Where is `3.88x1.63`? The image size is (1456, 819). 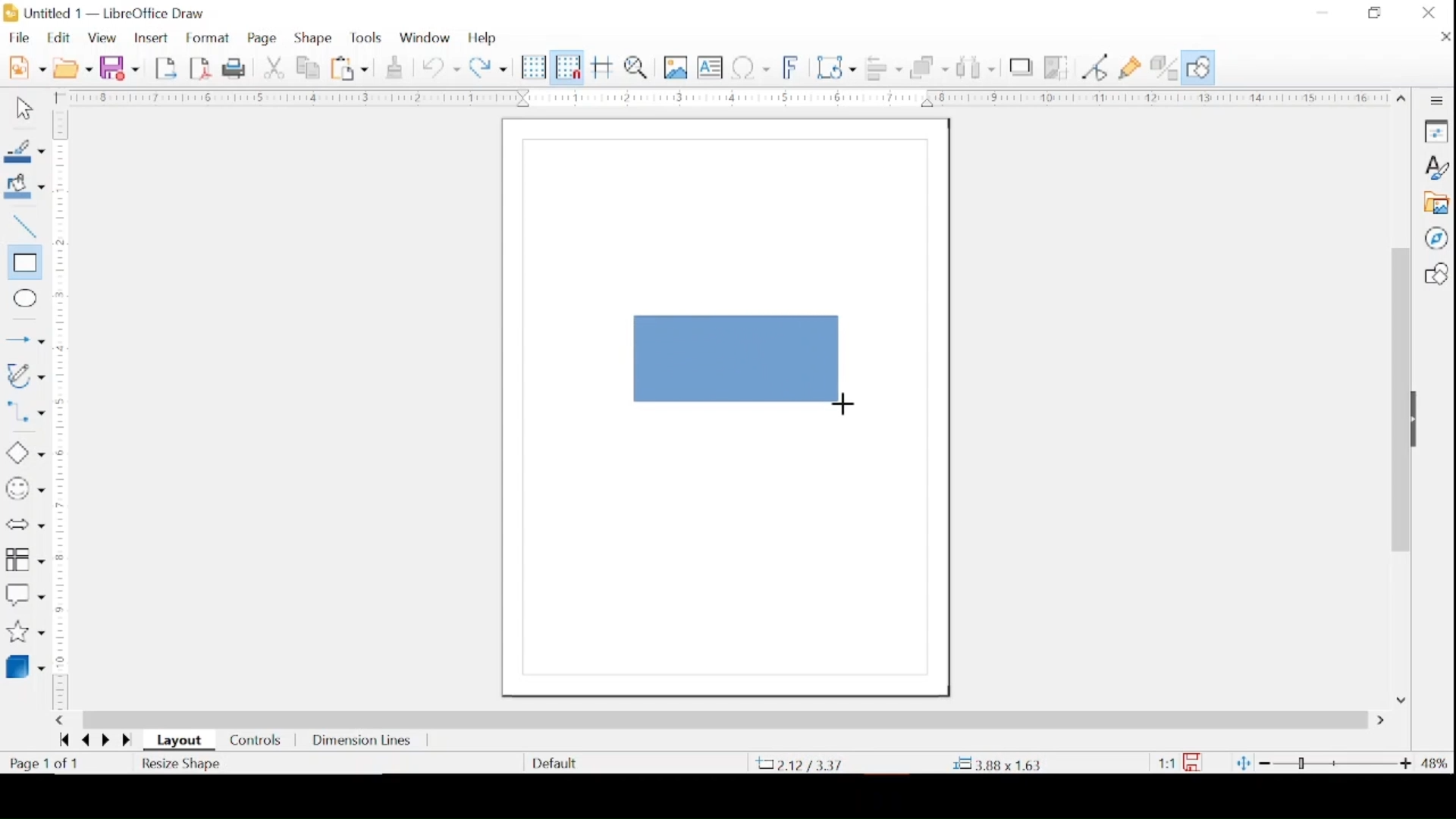 3.88x1.63 is located at coordinates (996, 765).